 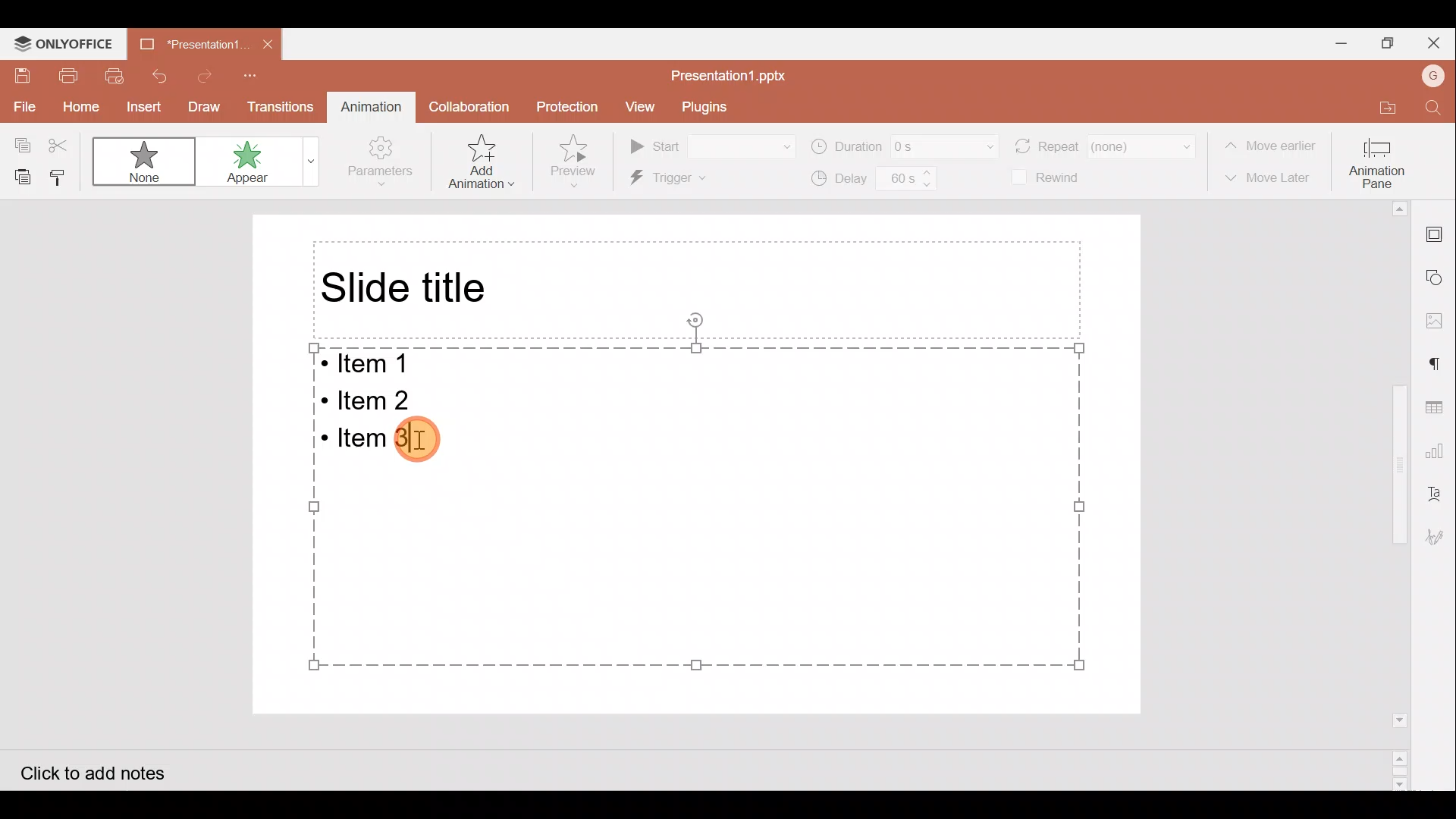 What do you see at coordinates (67, 73) in the screenshot?
I see `Print file` at bounding box center [67, 73].